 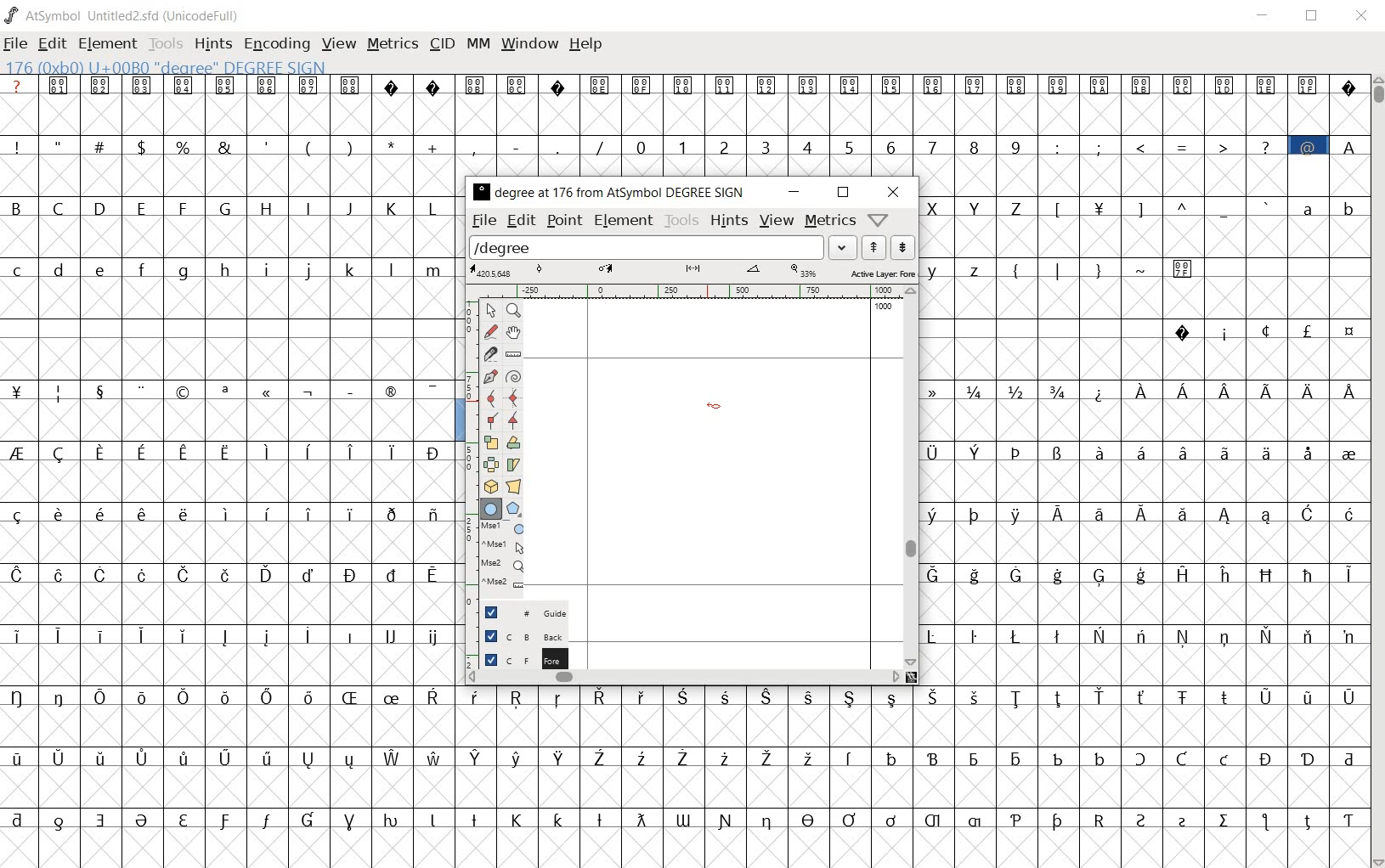 I want to click on window, so click(x=531, y=42).